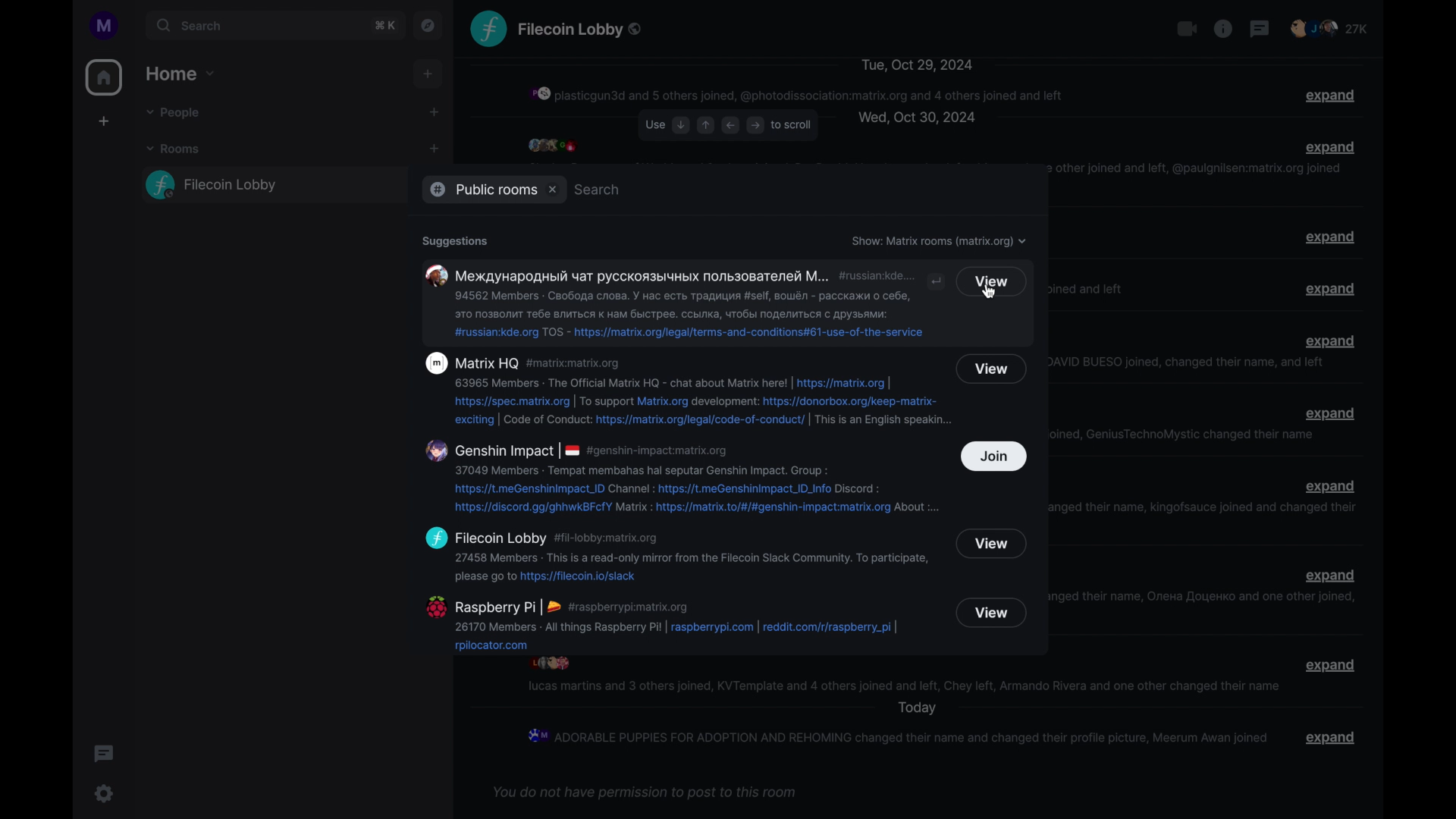  I want to click on home dropdown, so click(181, 74).